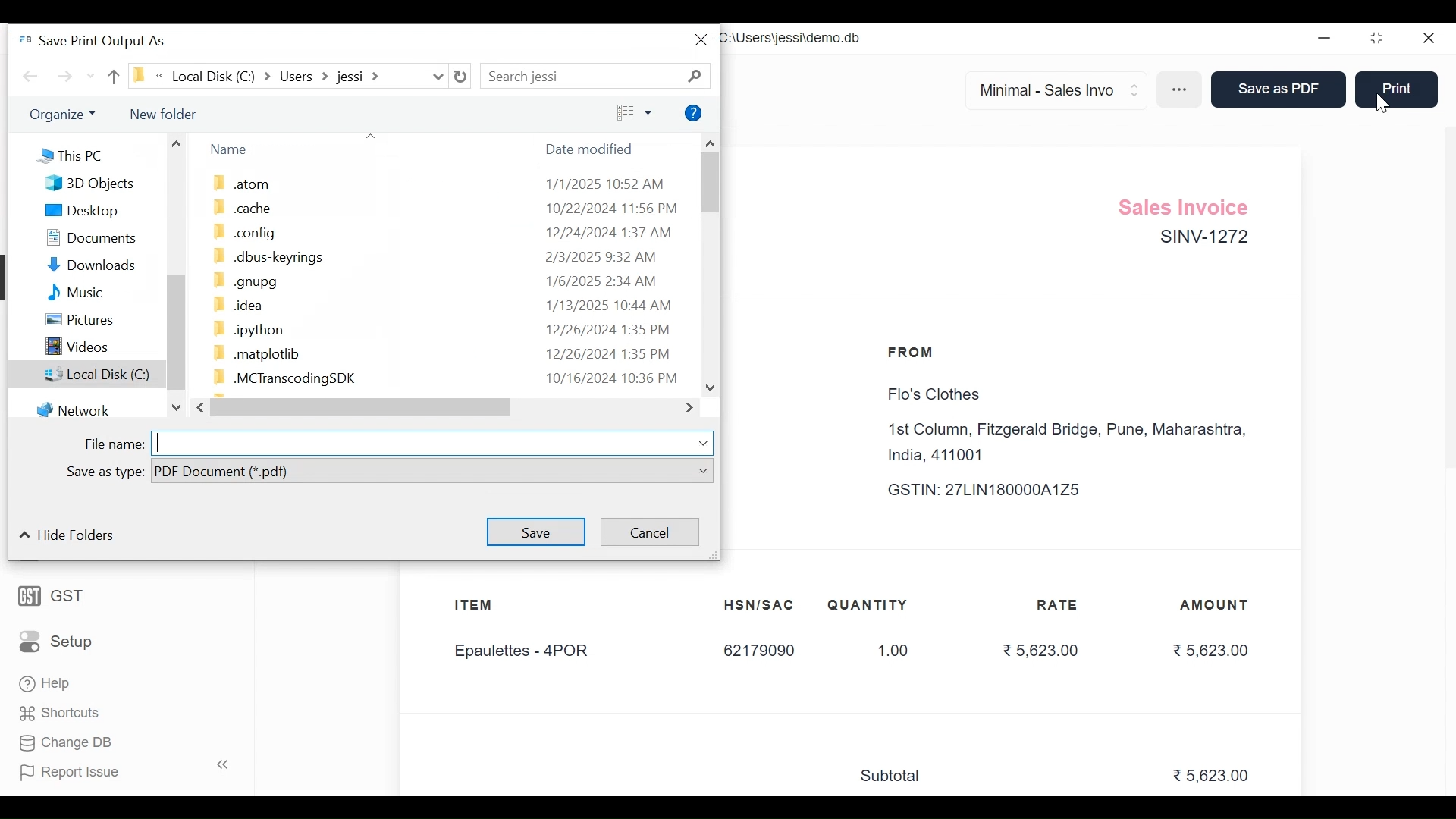  What do you see at coordinates (74, 409) in the screenshot?
I see `Network` at bounding box center [74, 409].